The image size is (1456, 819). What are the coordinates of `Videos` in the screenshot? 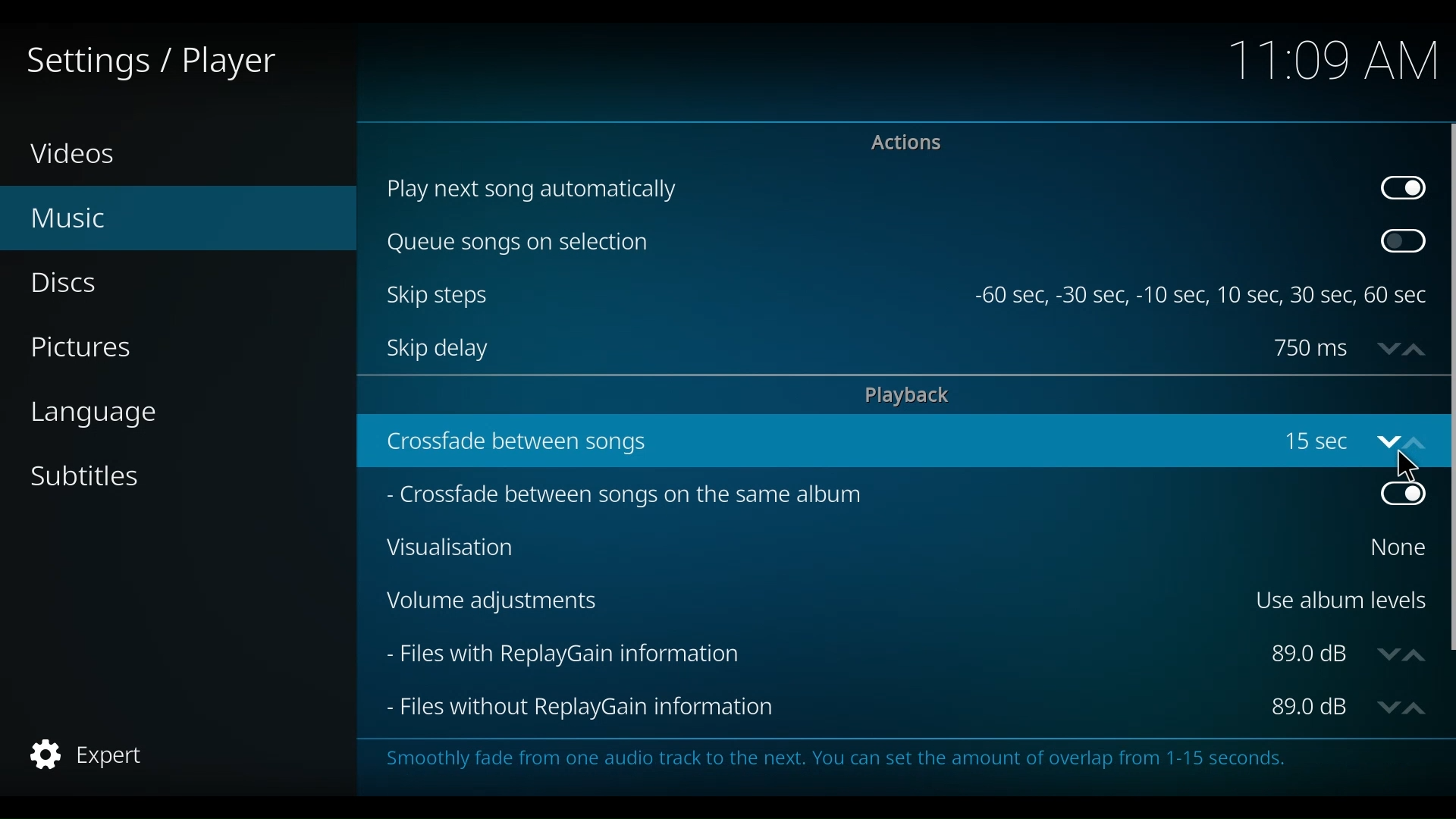 It's located at (80, 155).